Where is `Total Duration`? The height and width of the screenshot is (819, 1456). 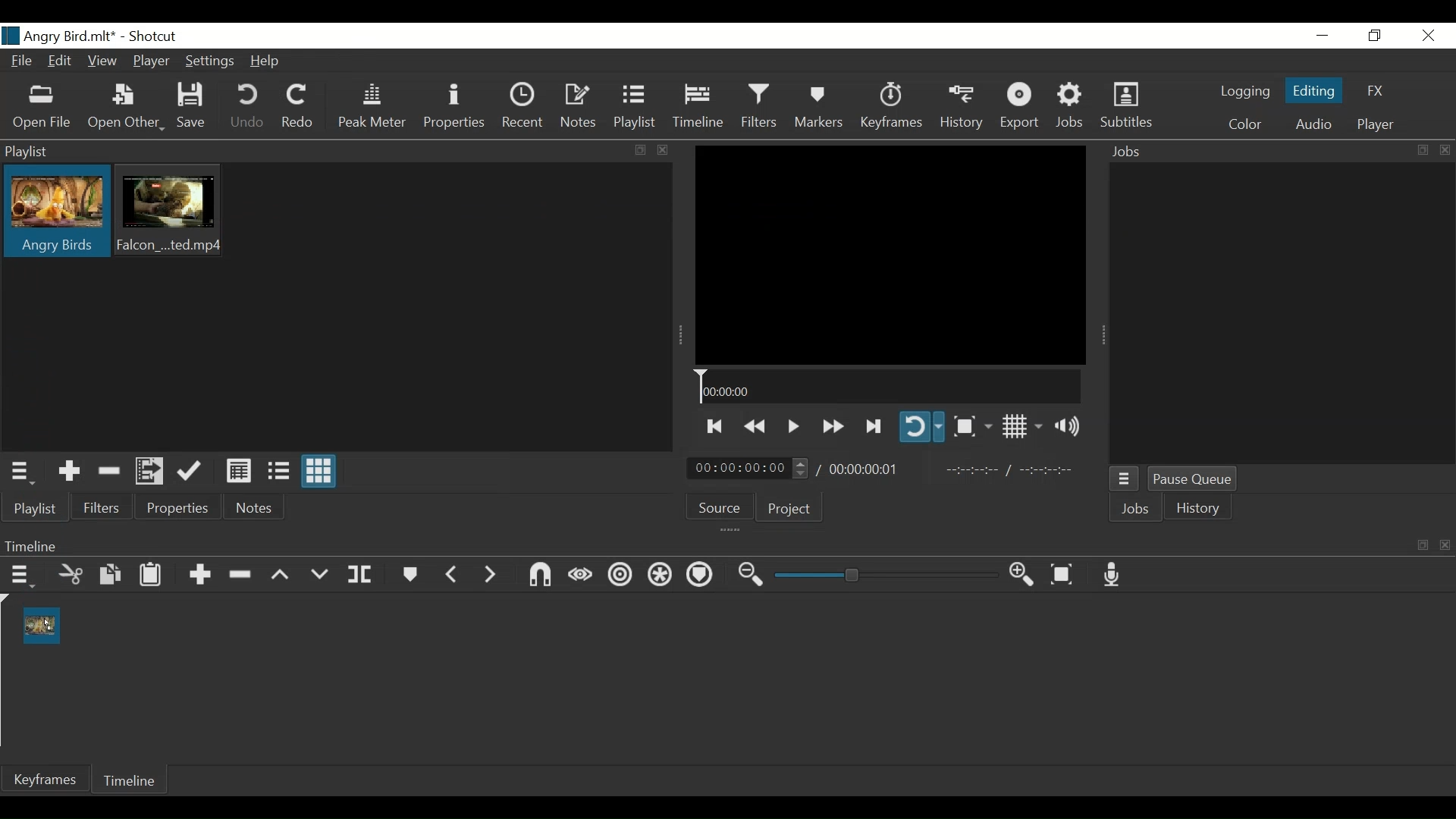
Total Duration is located at coordinates (870, 469).